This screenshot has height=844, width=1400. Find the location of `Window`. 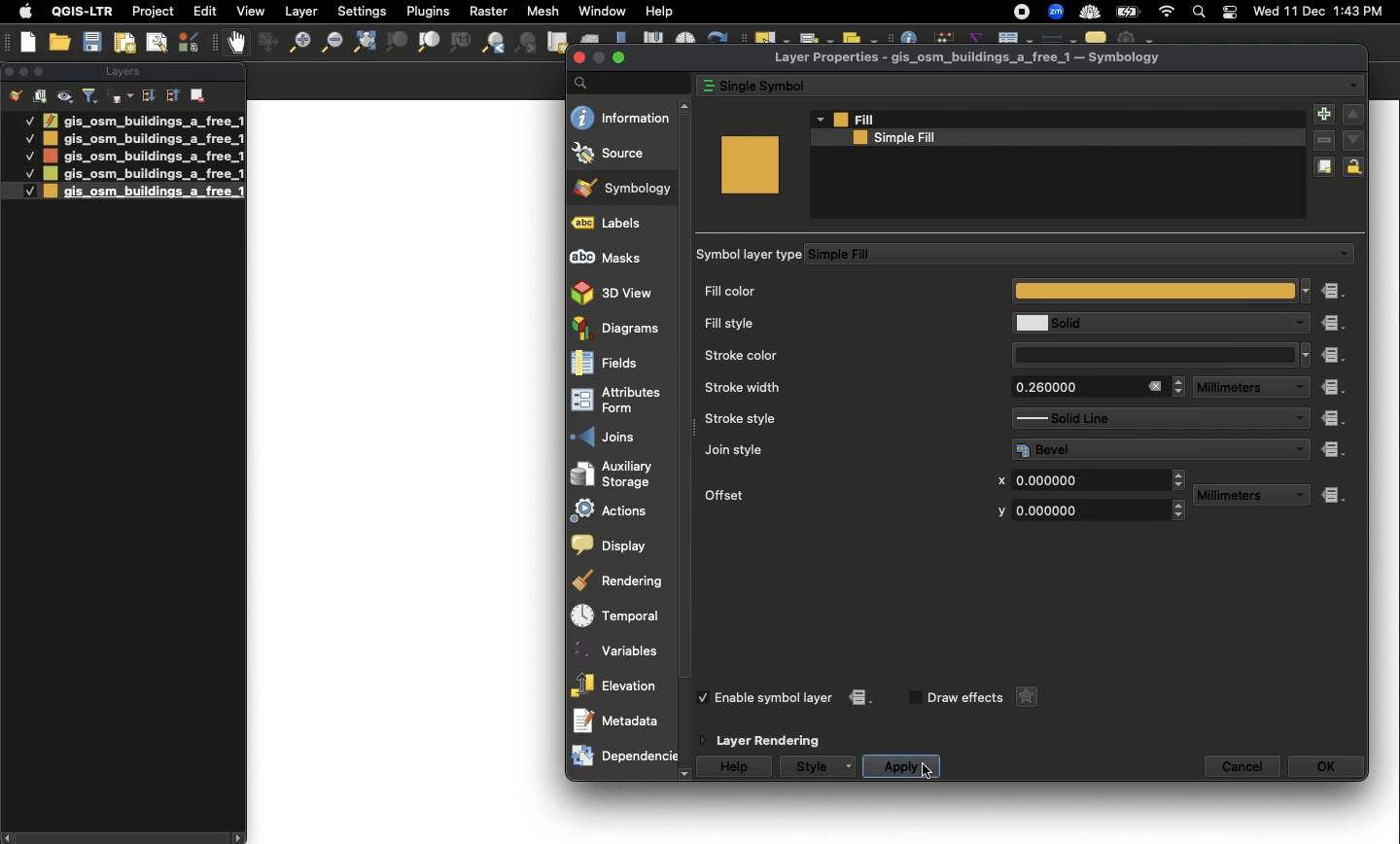

Window is located at coordinates (602, 11).